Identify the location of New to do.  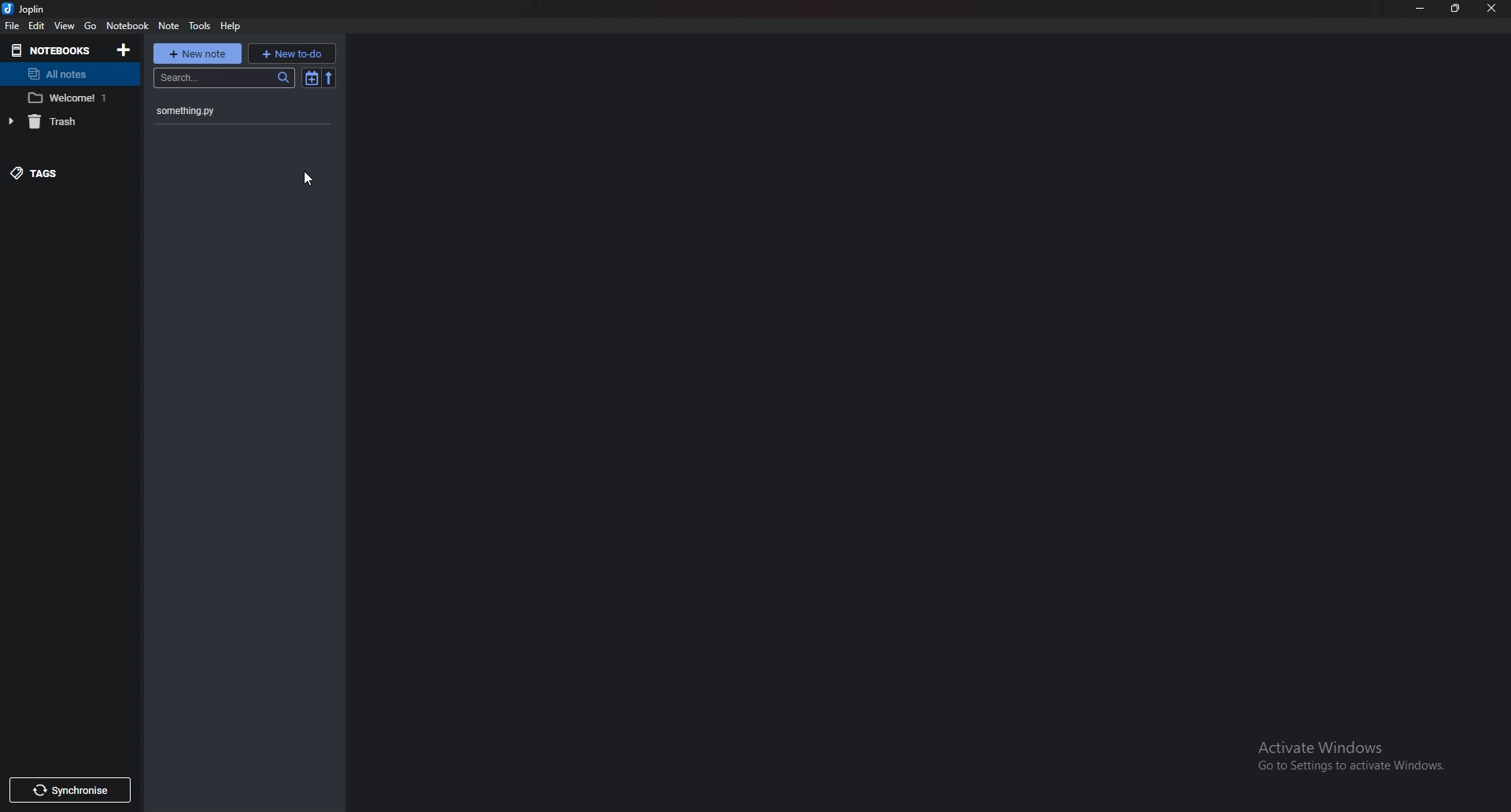
(291, 54).